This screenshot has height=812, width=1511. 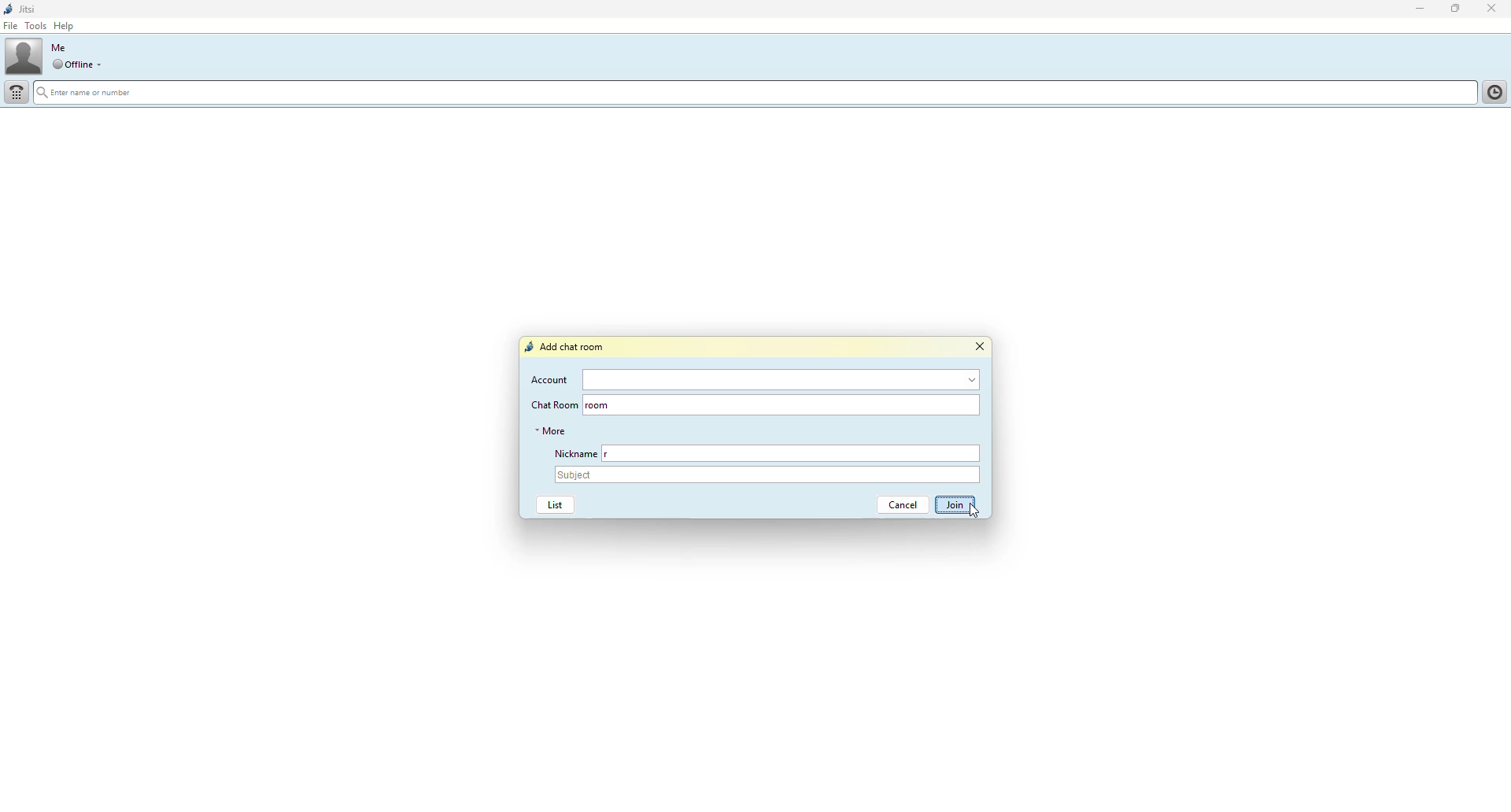 I want to click on search name, so click(x=752, y=91).